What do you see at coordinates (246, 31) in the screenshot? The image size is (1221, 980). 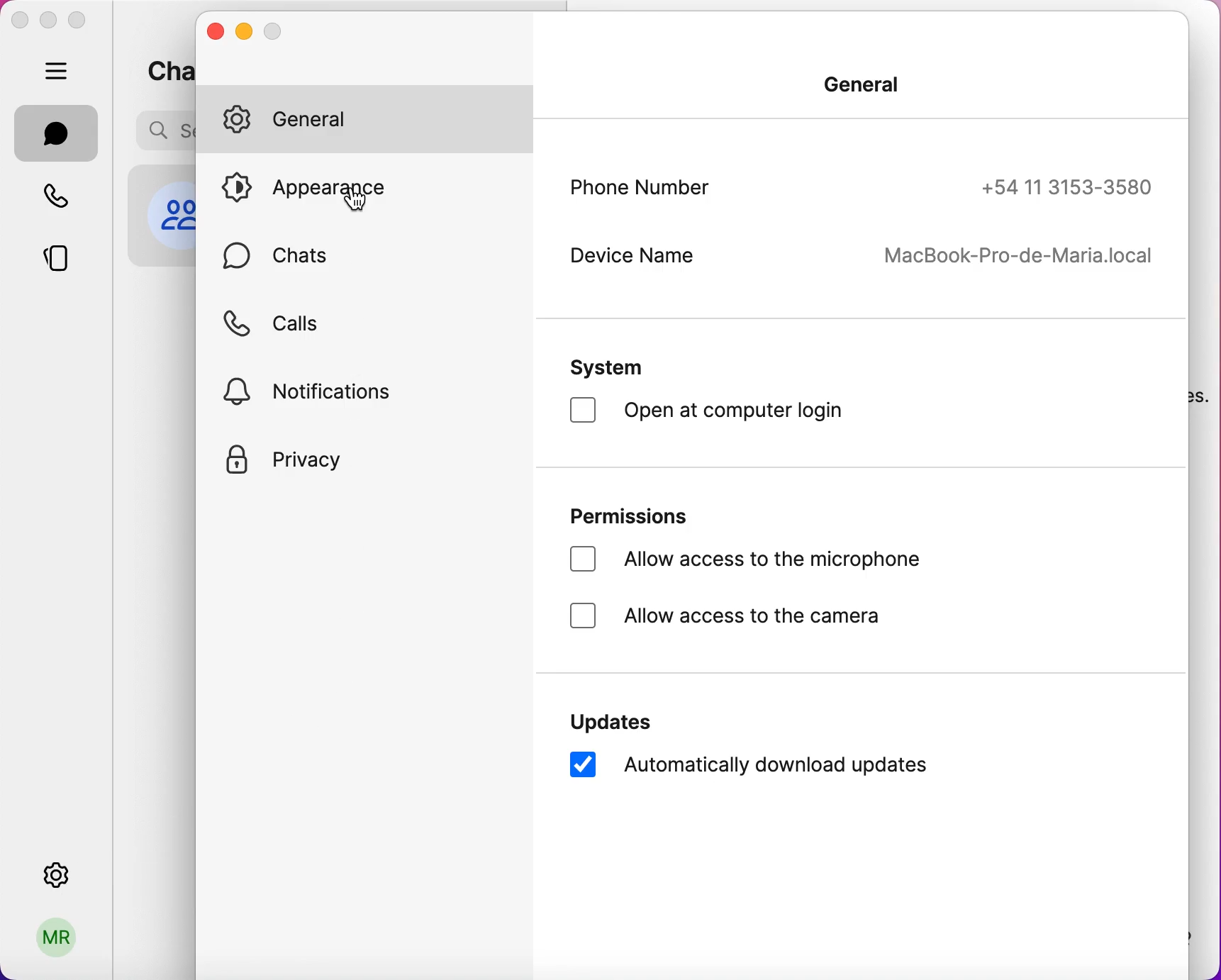 I see `minimize` at bounding box center [246, 31].